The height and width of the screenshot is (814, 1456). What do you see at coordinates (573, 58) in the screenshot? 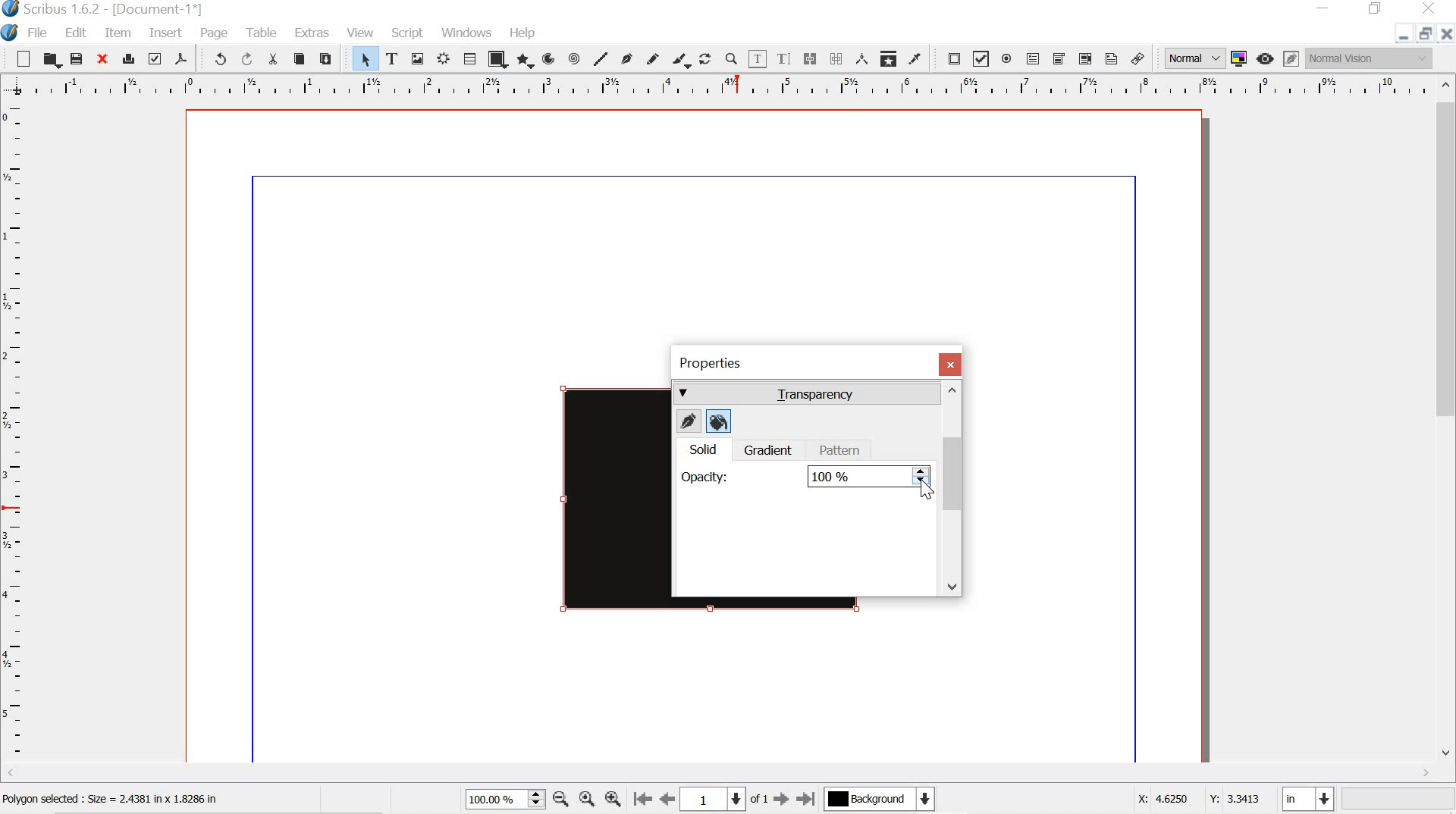
I see `spiral` at bounding box center [573, 58].